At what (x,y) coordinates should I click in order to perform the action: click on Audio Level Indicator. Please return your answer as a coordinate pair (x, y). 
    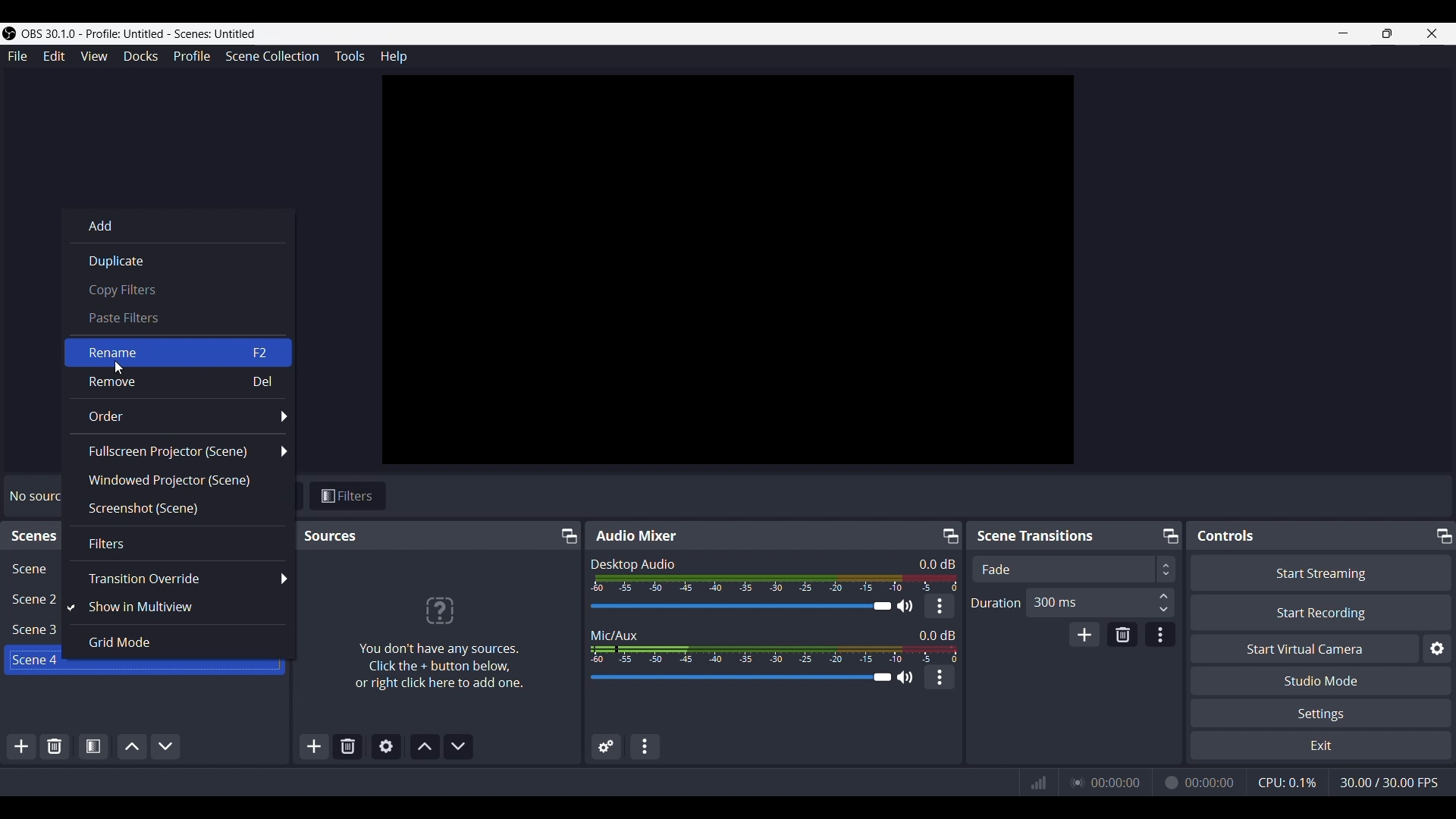
    Looking at the image, I should click on (937, 634).